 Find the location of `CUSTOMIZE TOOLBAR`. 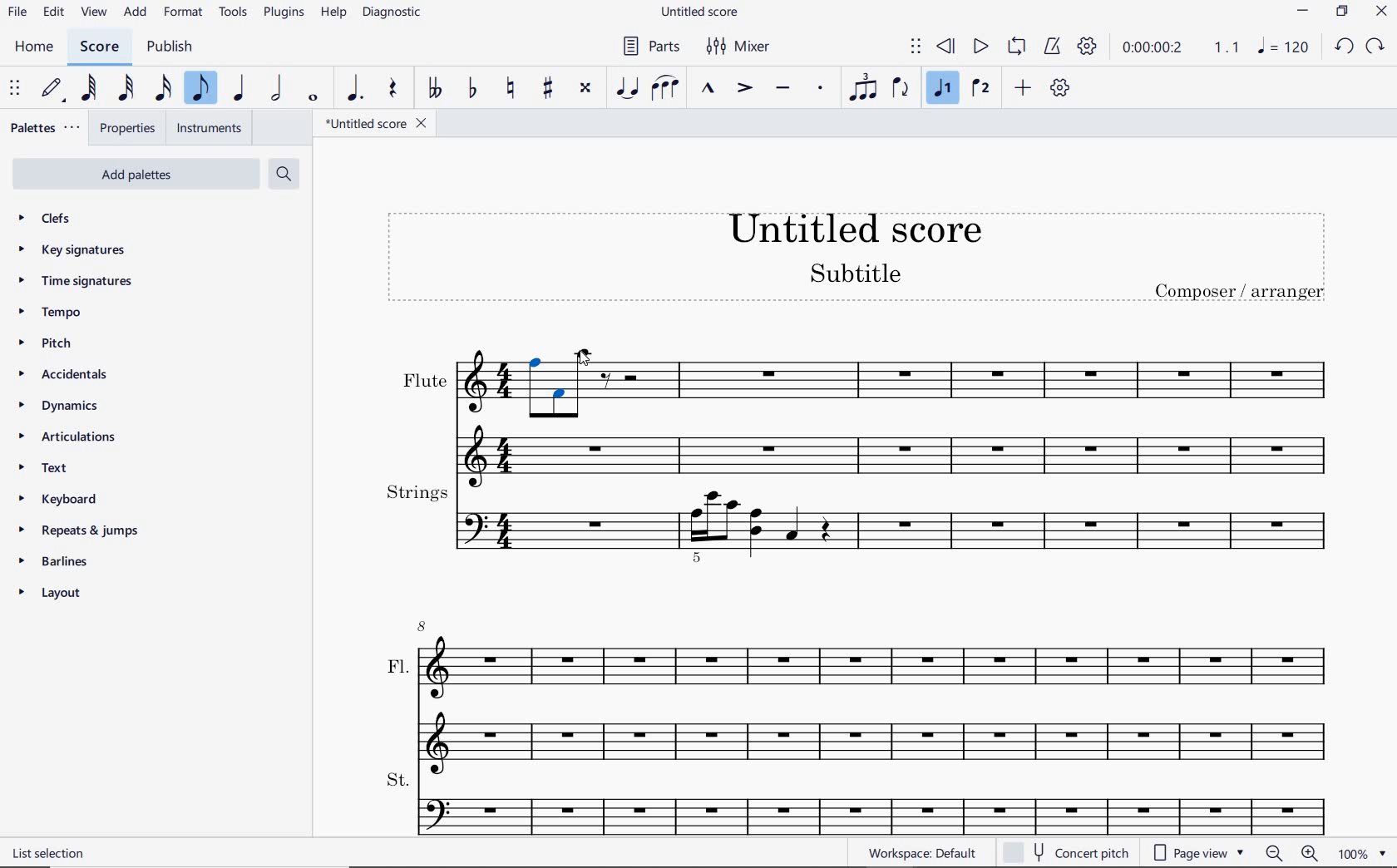

CUSTOMIZE TOOLBAR is located at coordinates (1063, 88).